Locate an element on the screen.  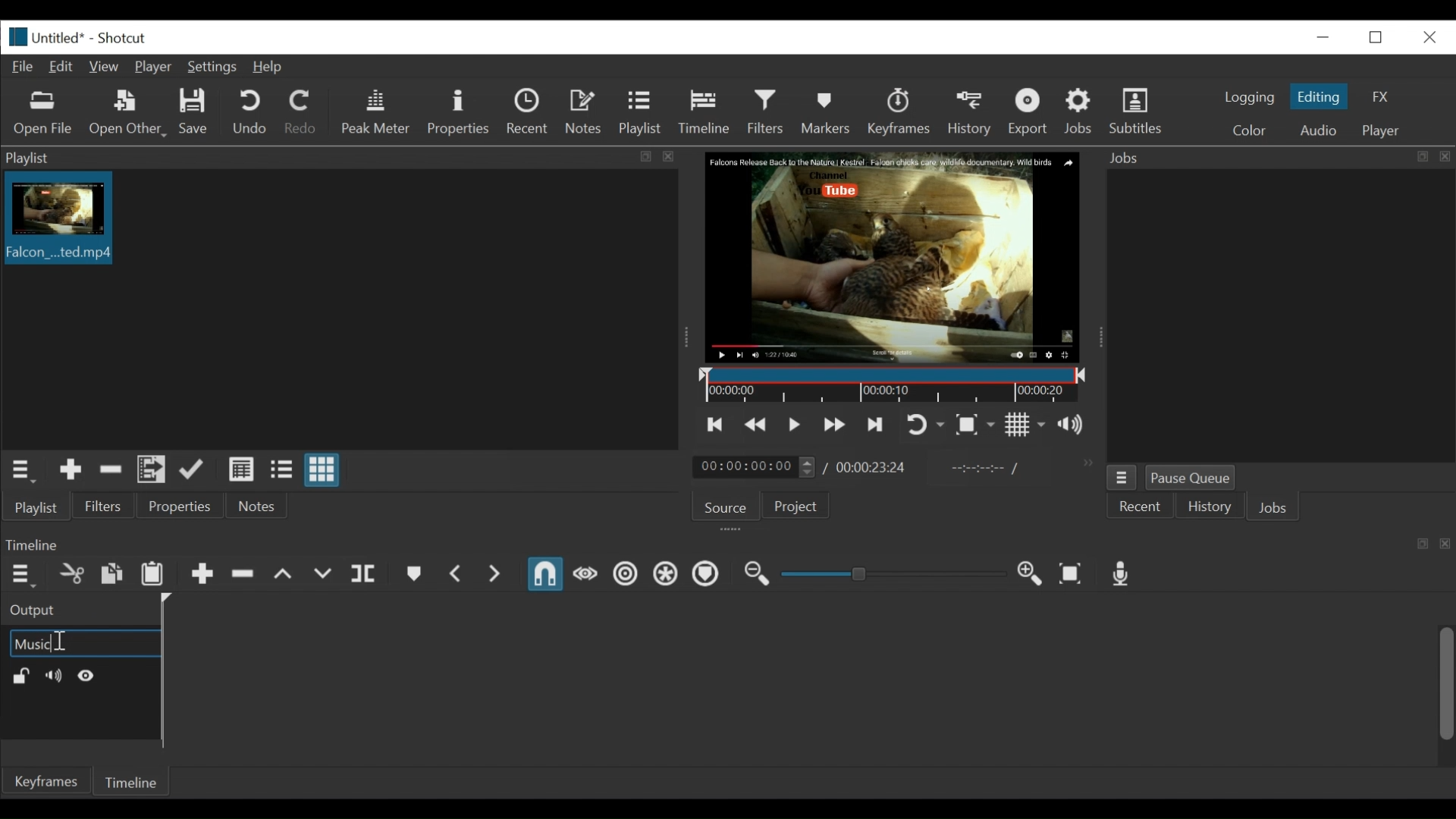
Save is located at coordinates (197, 111).